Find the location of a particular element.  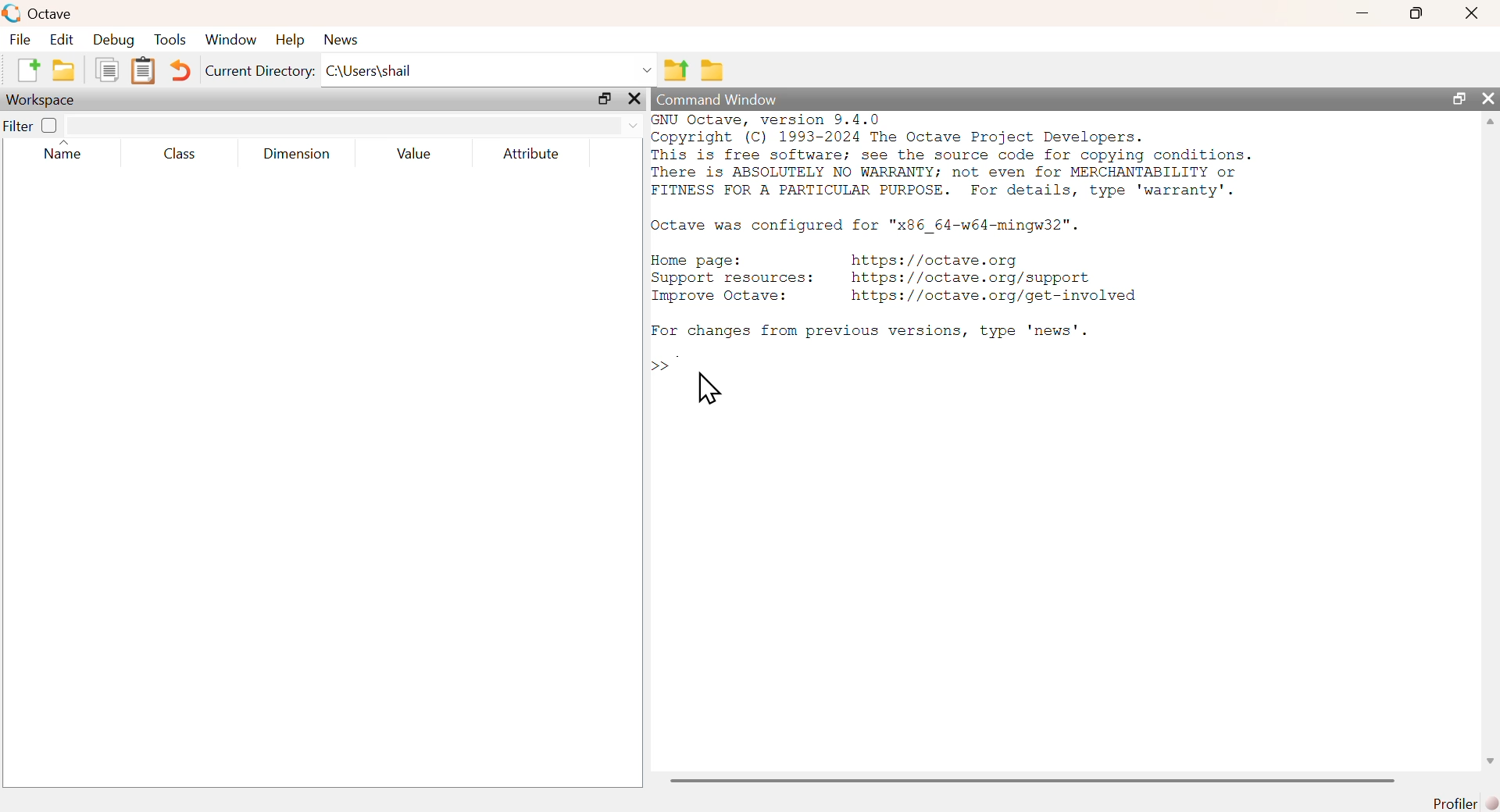

scrollbar is located at coordinates (1491, 444).